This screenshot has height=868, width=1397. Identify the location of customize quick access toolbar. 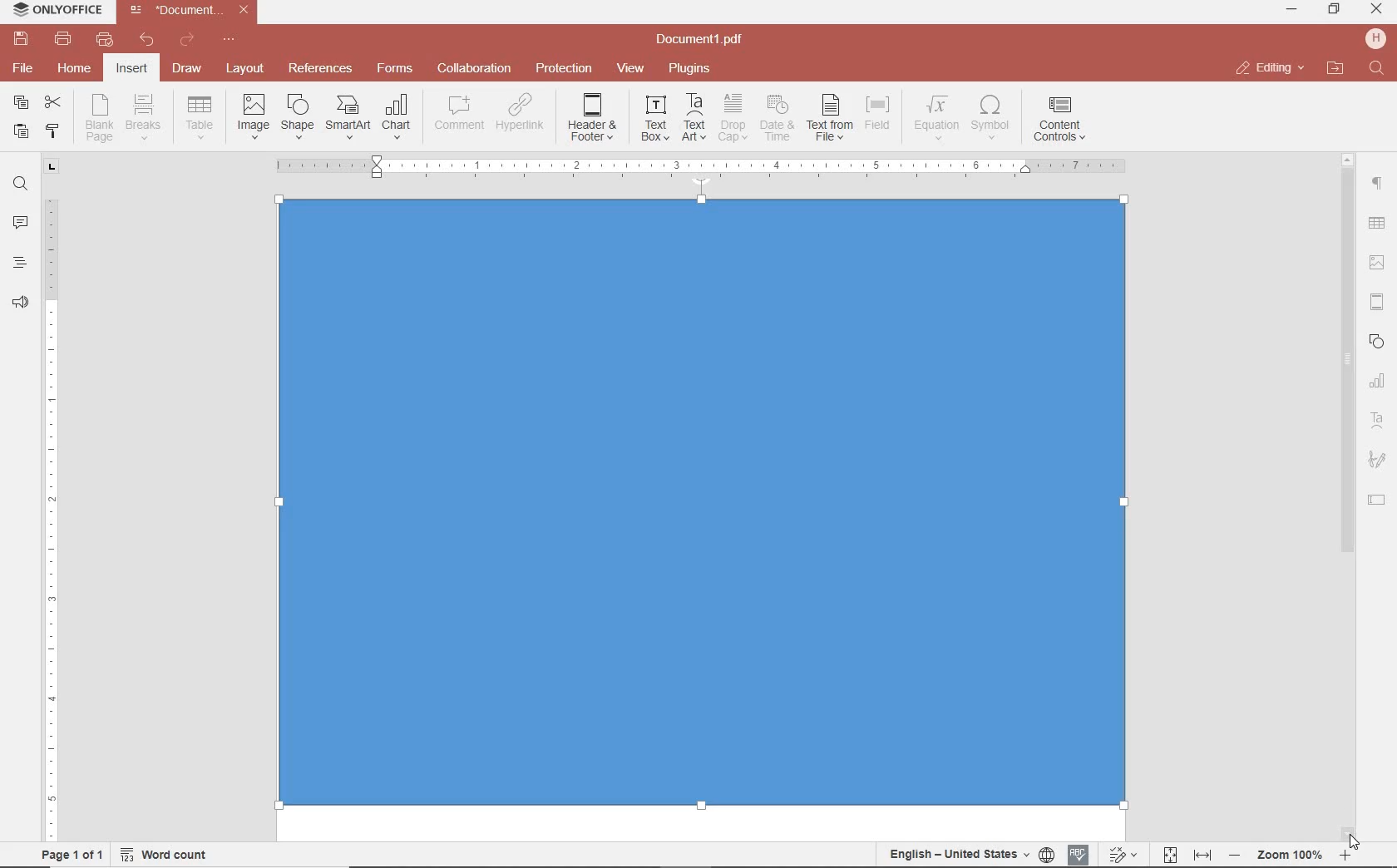
(229, 40).